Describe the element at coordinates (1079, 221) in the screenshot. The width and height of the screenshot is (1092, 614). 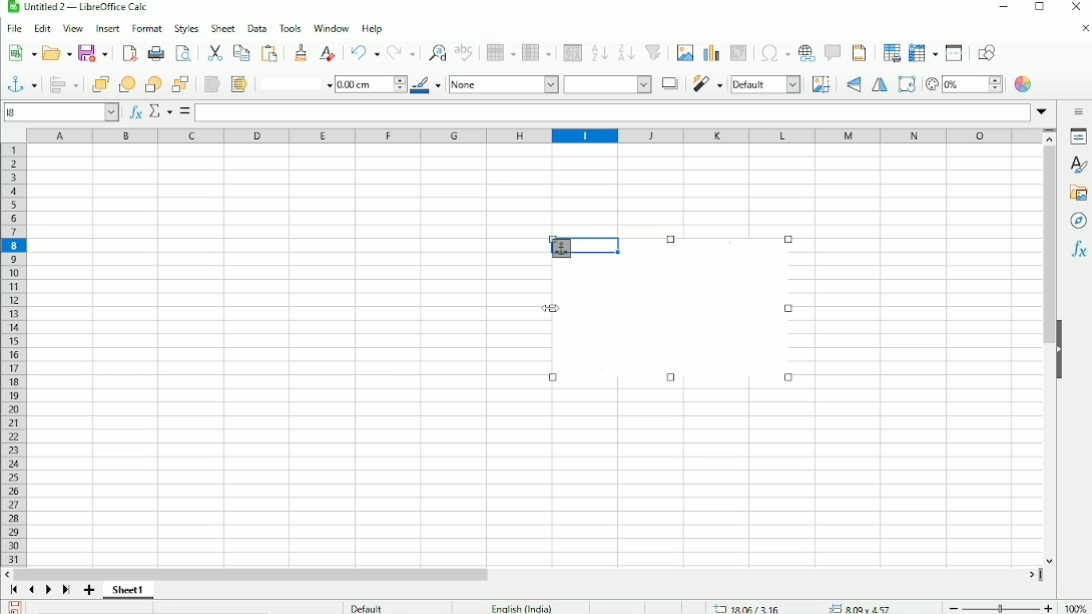
I see `Navigator` at that location.